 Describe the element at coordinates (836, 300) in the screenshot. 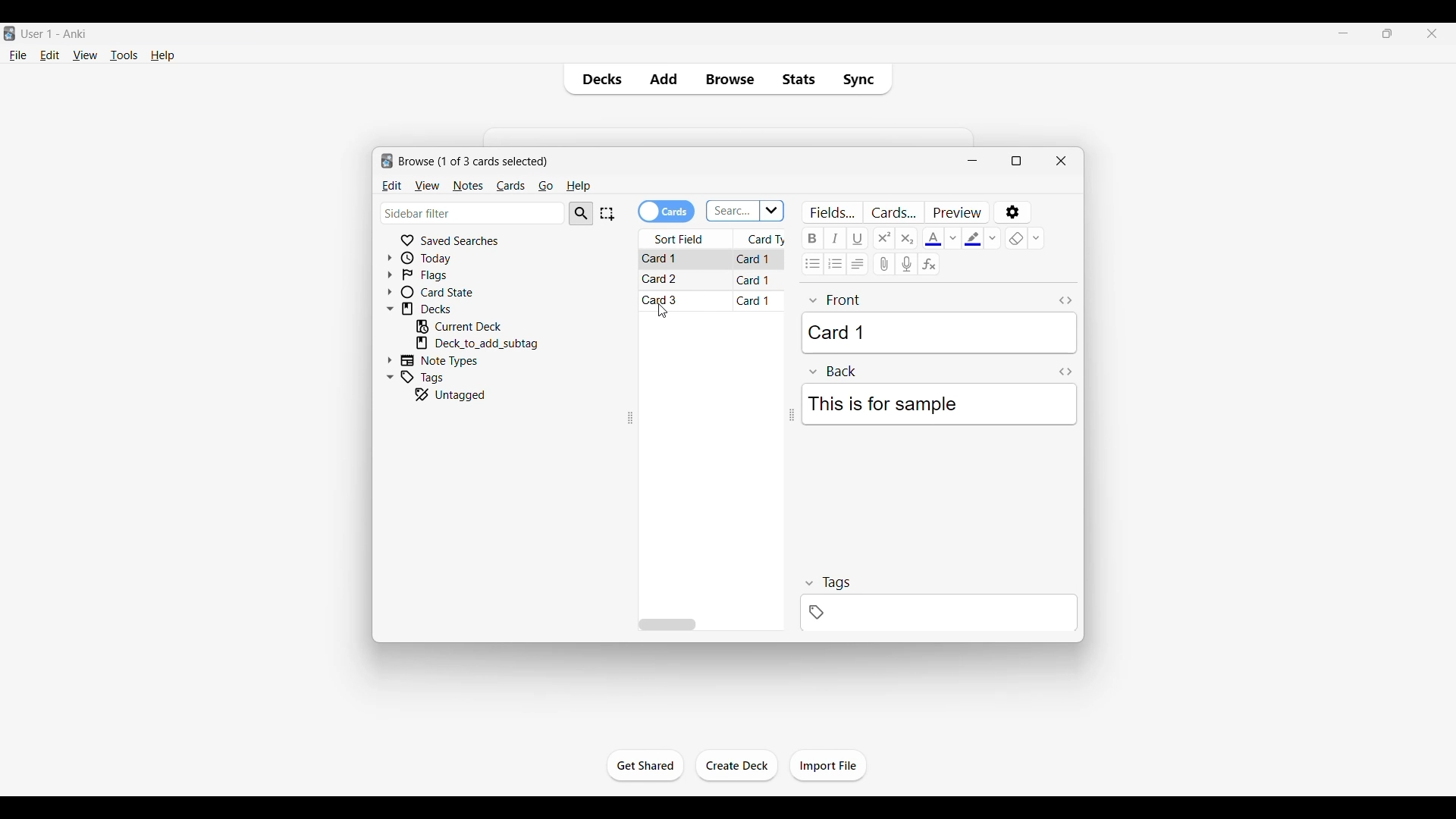

I see `front` at that location.